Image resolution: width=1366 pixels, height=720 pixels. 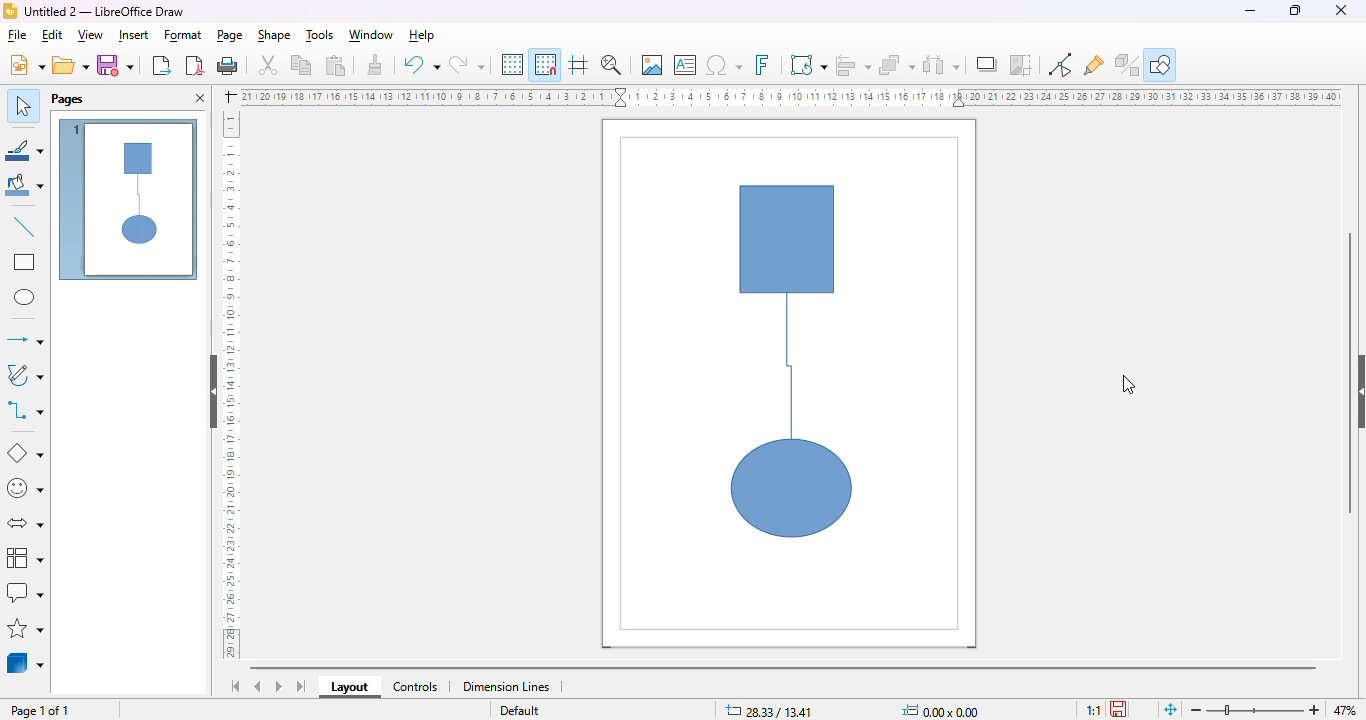 What do you see at coordinates (787, 665) in the screenshot?
I see `horizontal scroll bar` at bounding box center [787, 665].